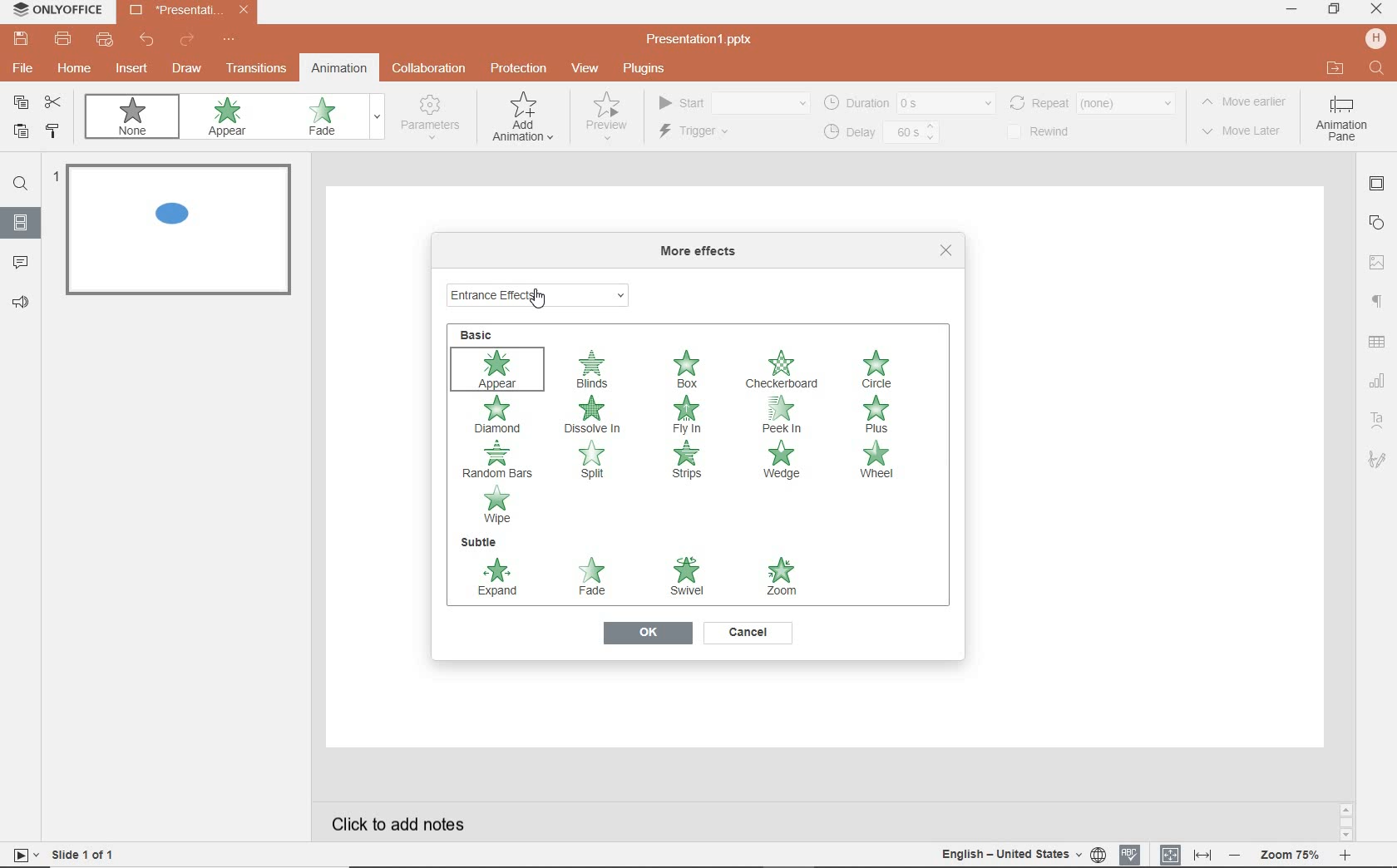 The image size is (1397, 868). I want to click on text language, so click(1019, 856).